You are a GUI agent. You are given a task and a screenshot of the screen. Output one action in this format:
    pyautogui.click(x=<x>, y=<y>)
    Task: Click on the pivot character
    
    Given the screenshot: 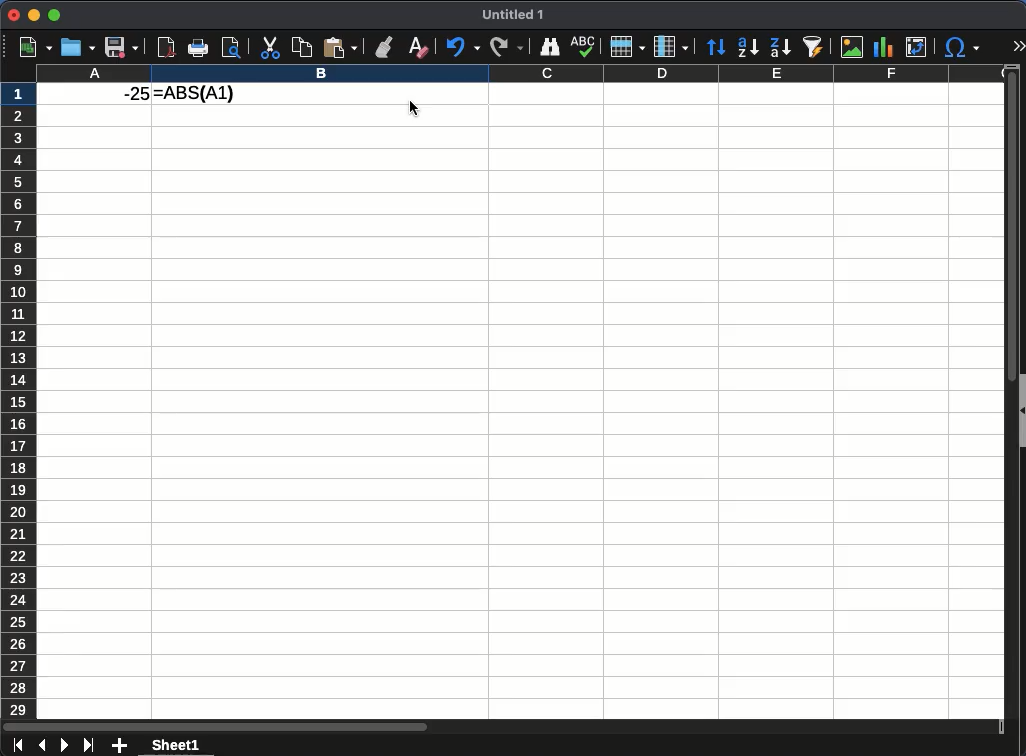 What is the action you would take?
    pyautogui.click(x=918, y=44)
    